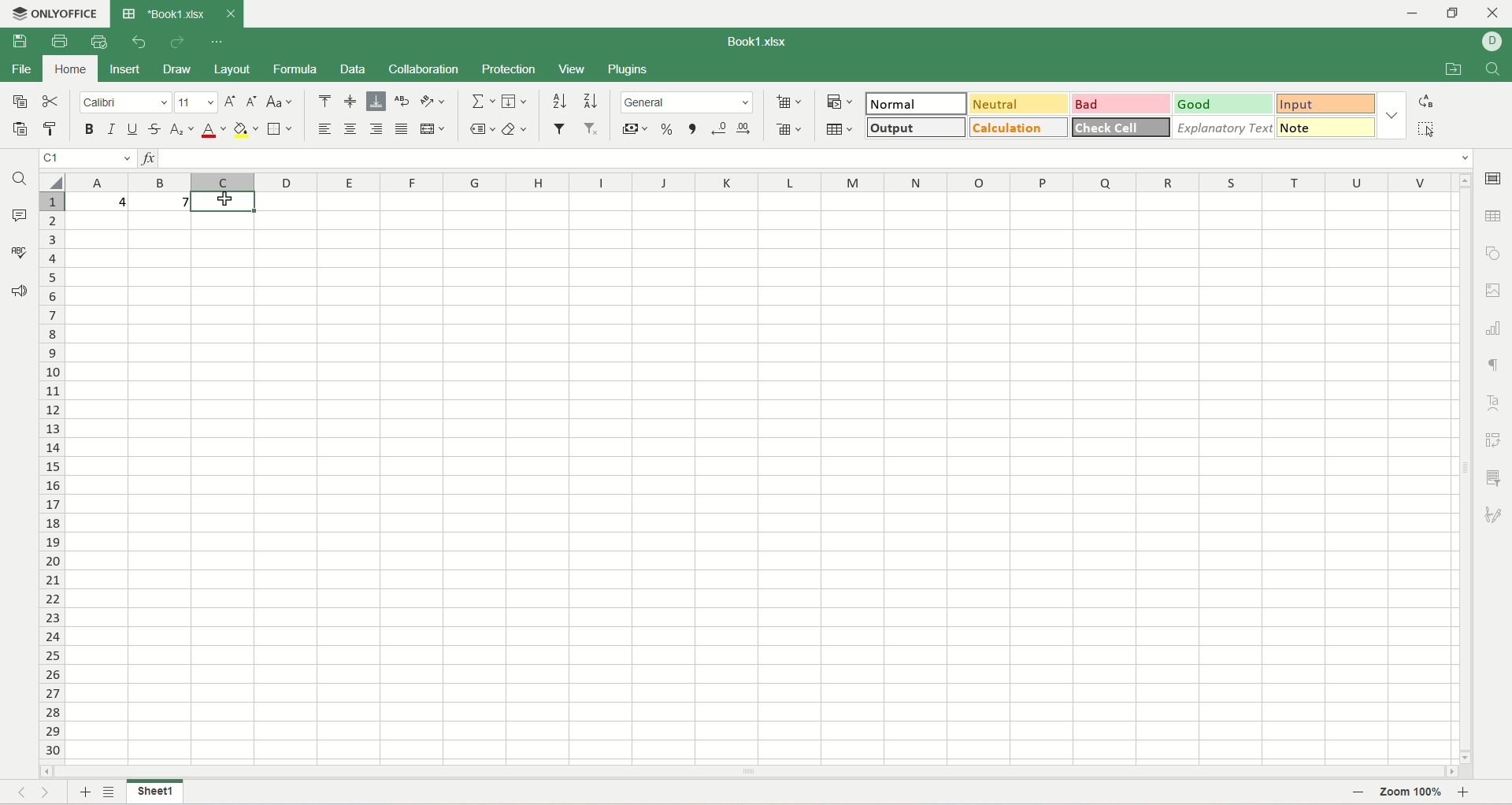 The image size is (1512, 805). What do you see at coordinates (20, 178) in the screenshot?
I see `find` at bounding box center [20, 178].